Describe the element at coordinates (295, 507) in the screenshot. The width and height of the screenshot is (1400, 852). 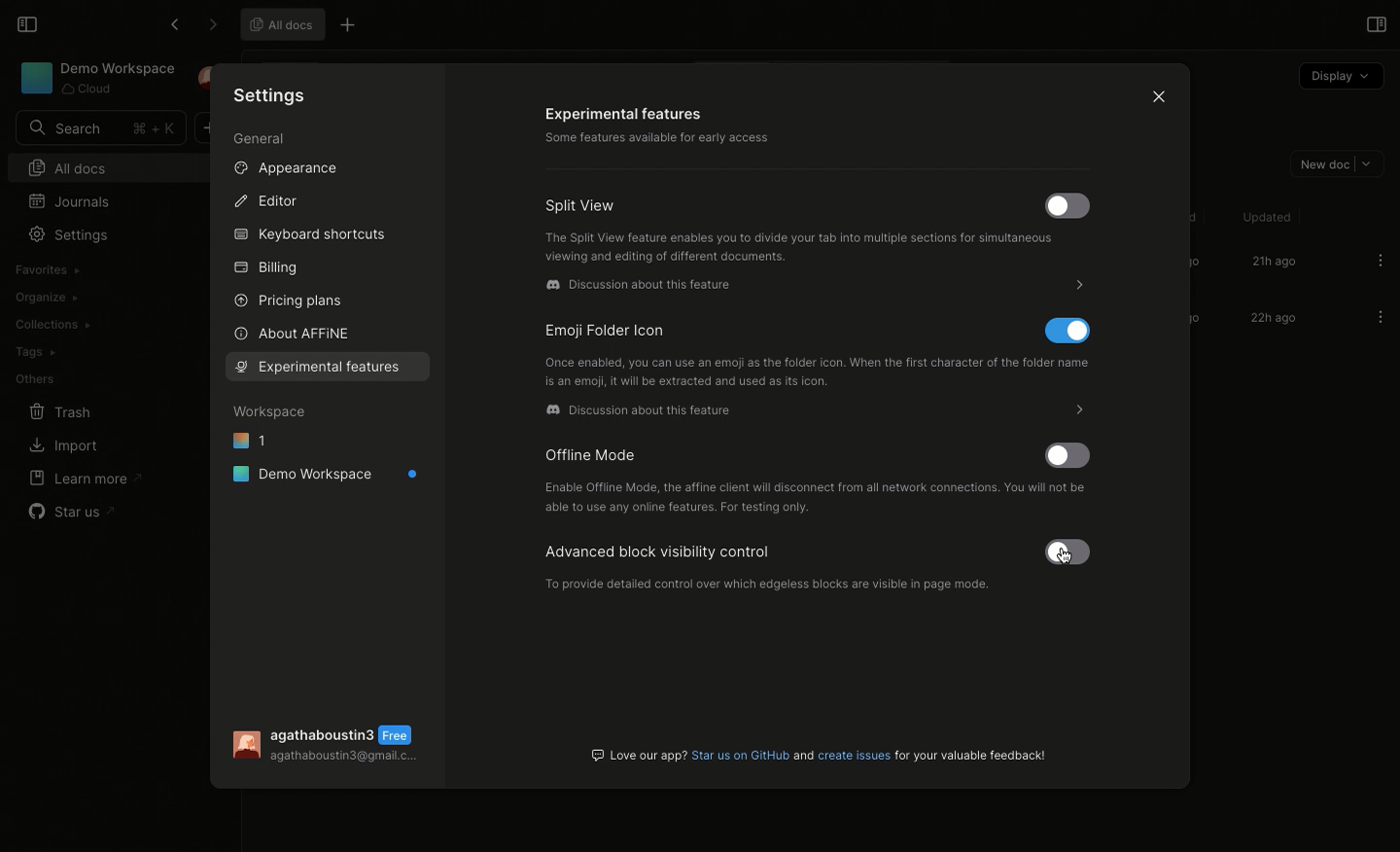
I see `Preference` at that location.